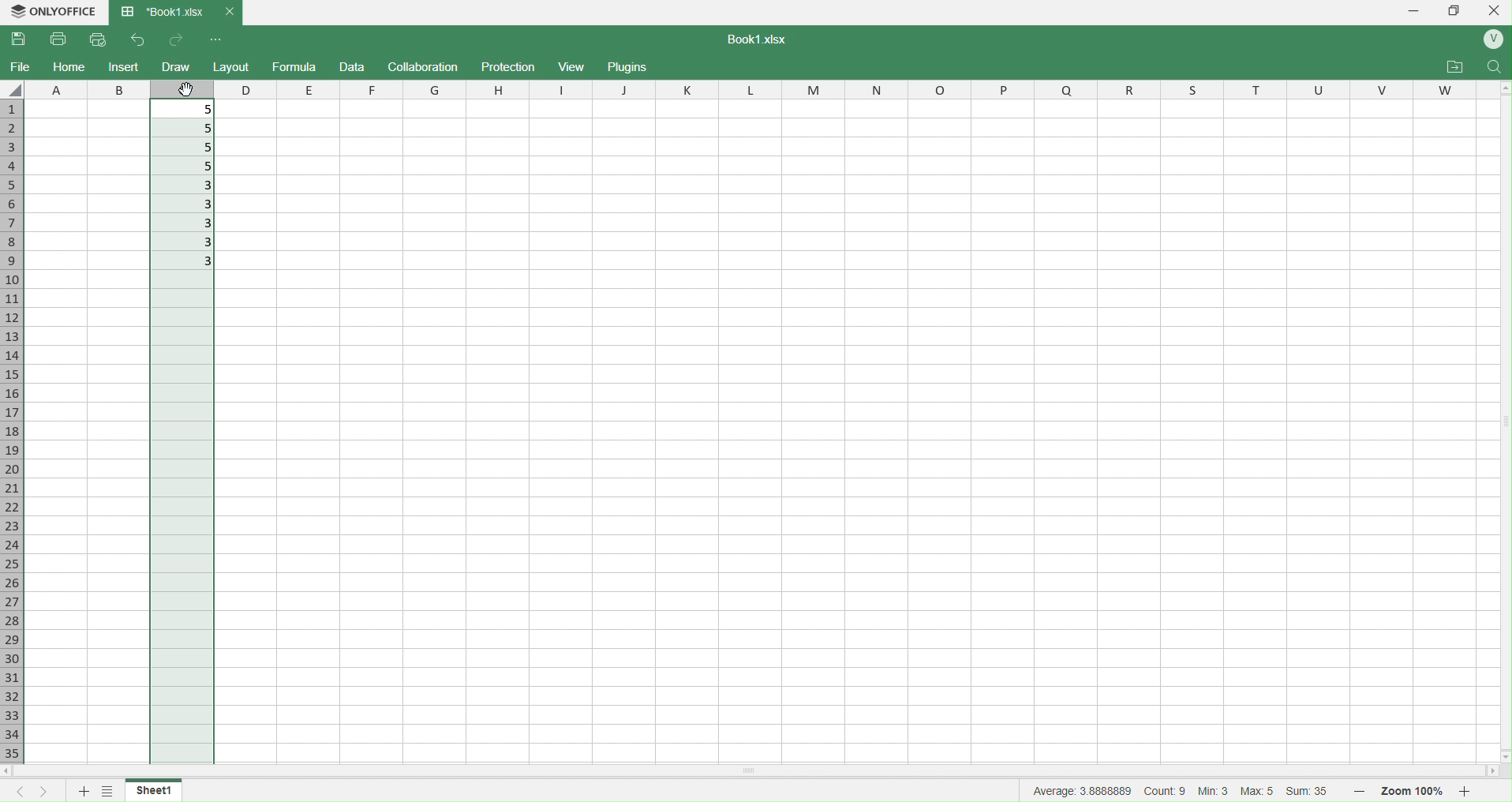  I want to click on Box, so click(1456, 10).